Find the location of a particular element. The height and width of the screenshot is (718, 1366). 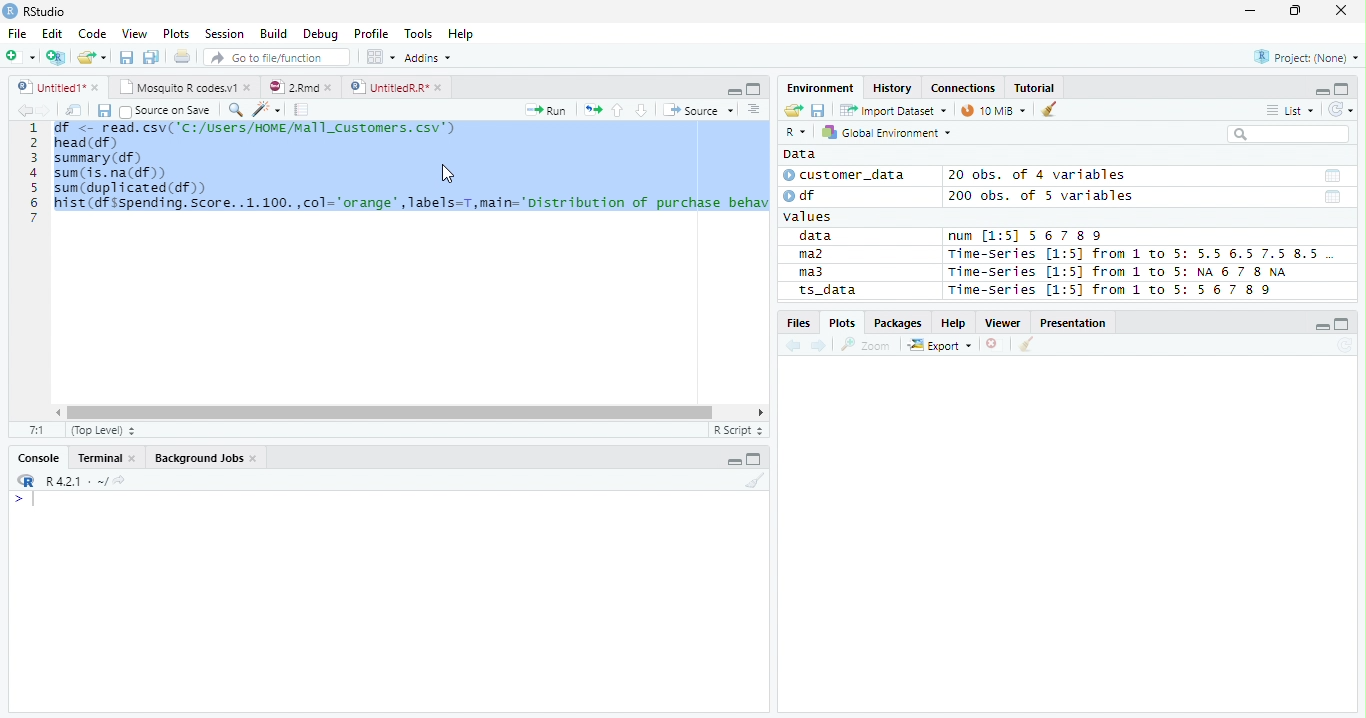

Save all open documents is located at coordinates (151, 58).